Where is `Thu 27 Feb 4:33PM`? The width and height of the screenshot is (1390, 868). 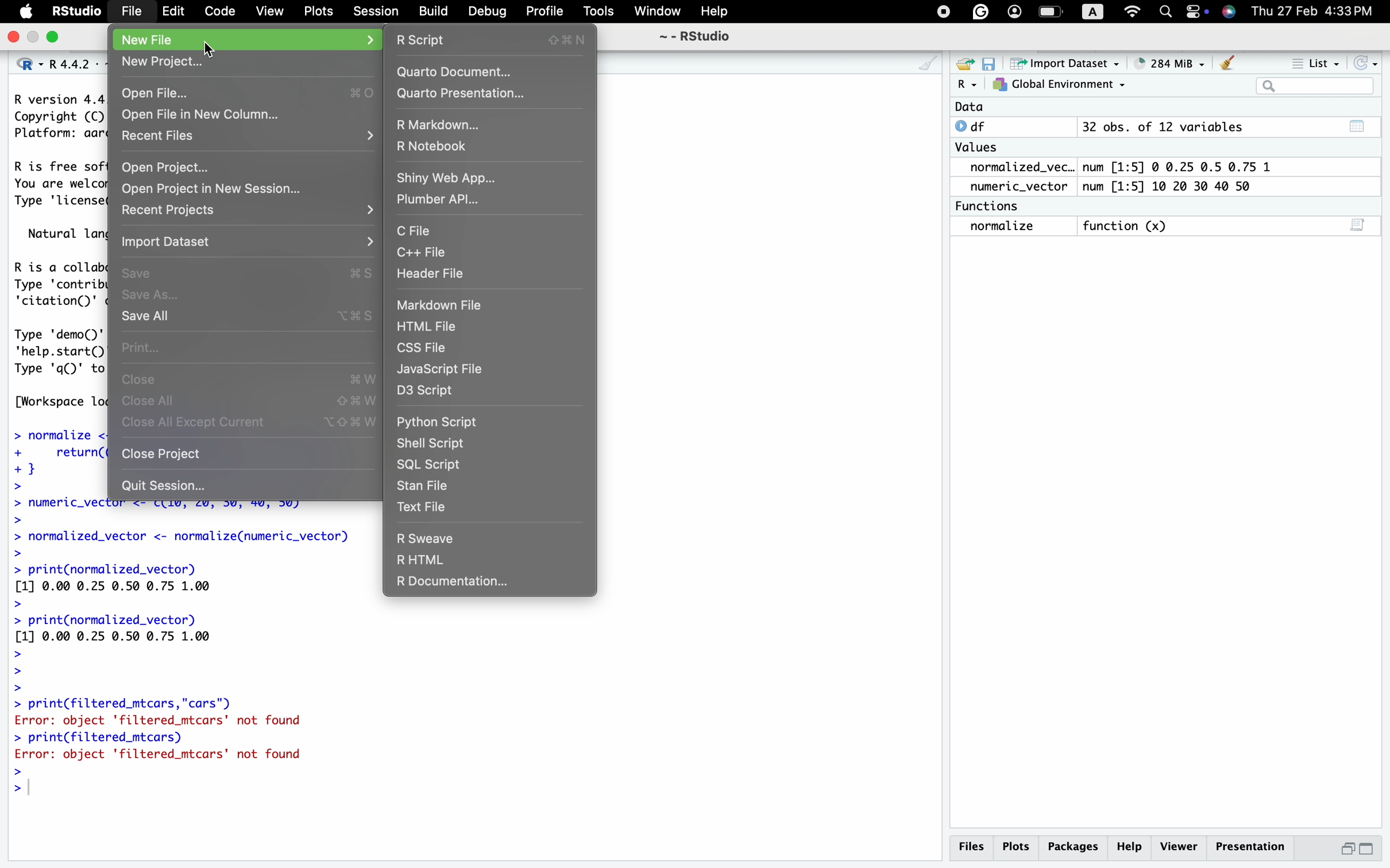
Thu 27 Feb 4:33PM is located at coordinates (1313, 12).